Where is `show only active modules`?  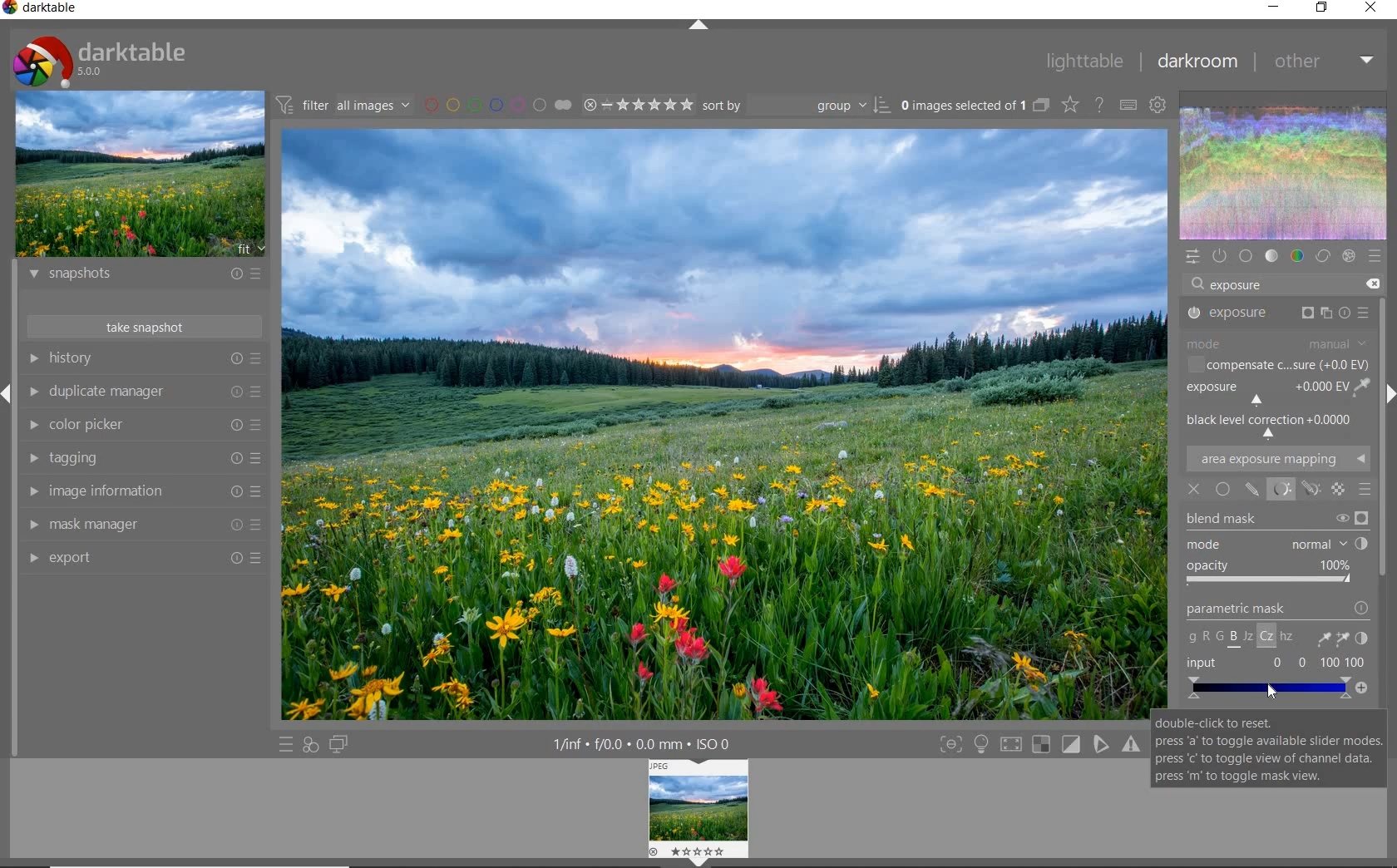 show only active modules is located at coordinates (1218, 256).